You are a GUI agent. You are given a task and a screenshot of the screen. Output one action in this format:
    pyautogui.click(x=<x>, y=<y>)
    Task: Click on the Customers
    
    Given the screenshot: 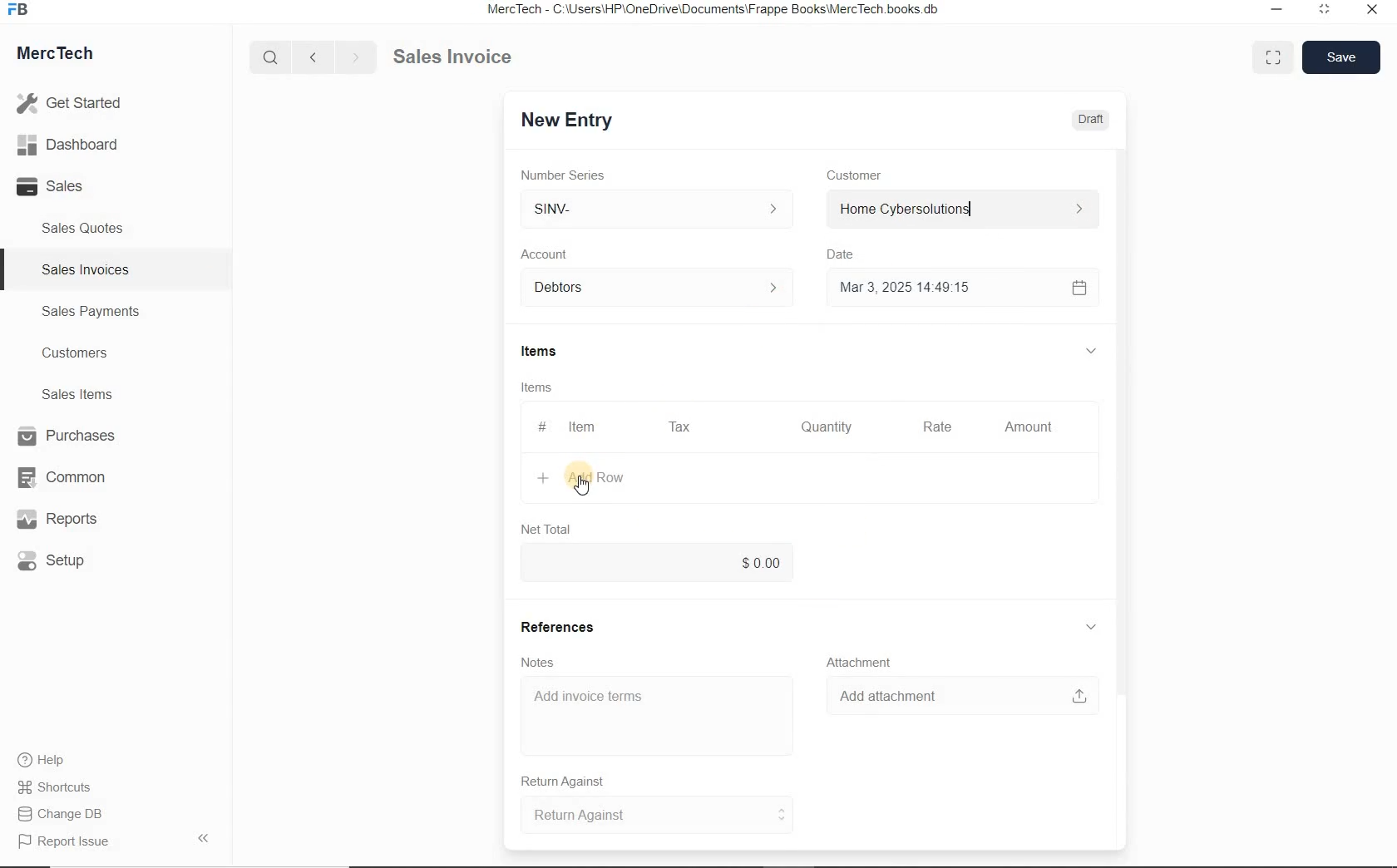 What is the action you would take?
    pyautogui.click(x=90, y=353)
    